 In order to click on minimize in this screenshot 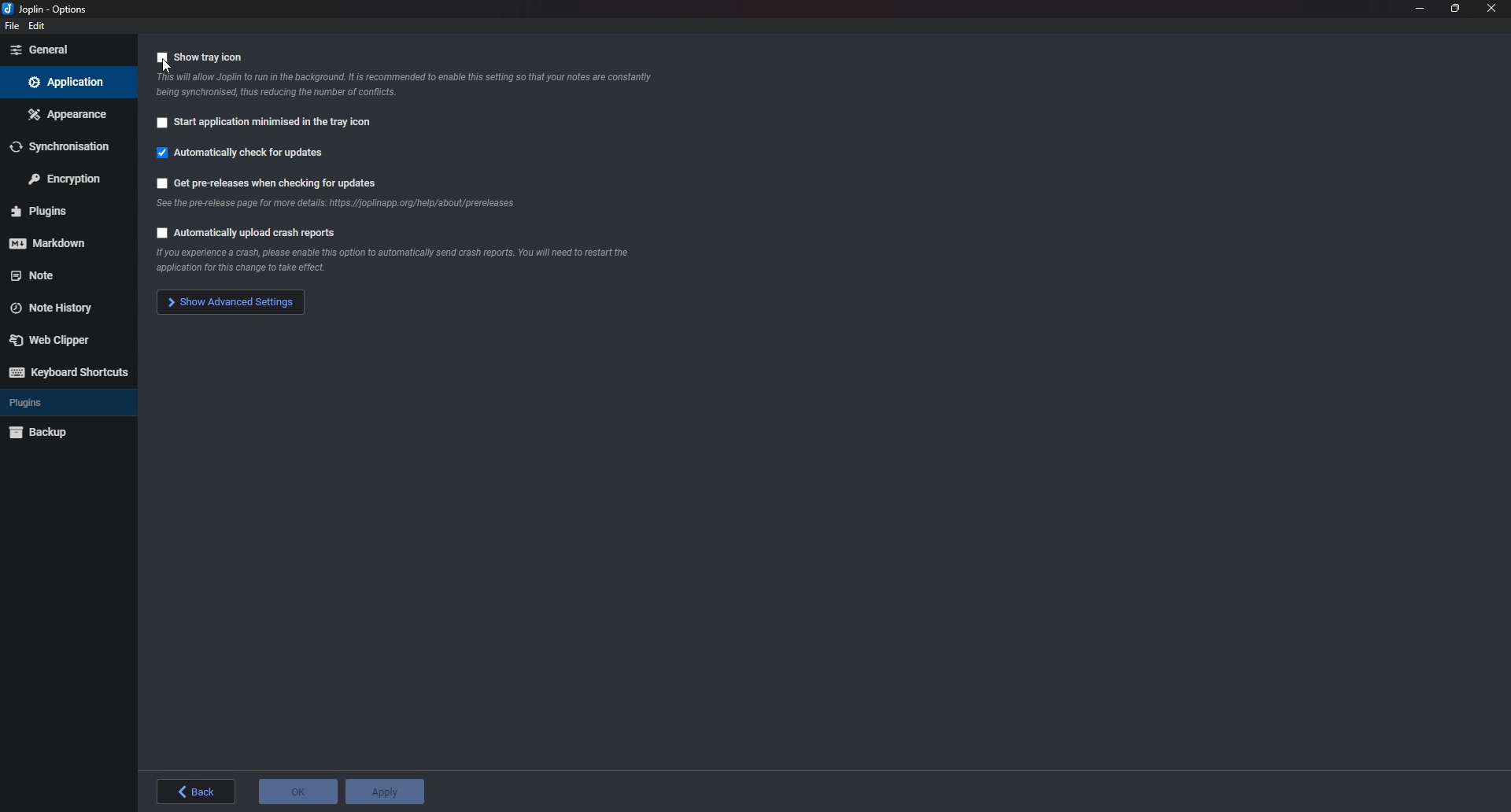, I will do `click(1420, 9)`.